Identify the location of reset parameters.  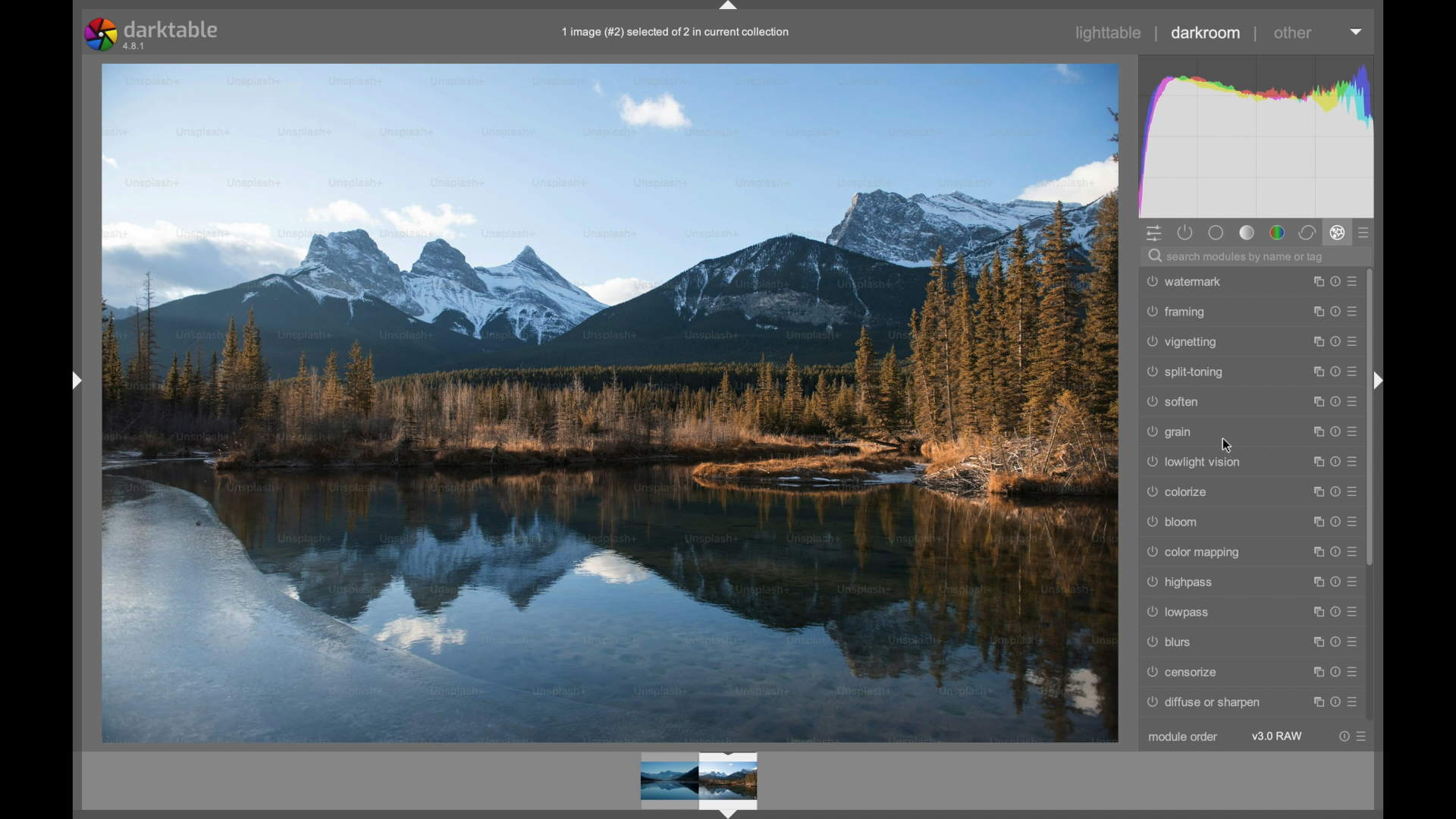
(1341, 736).